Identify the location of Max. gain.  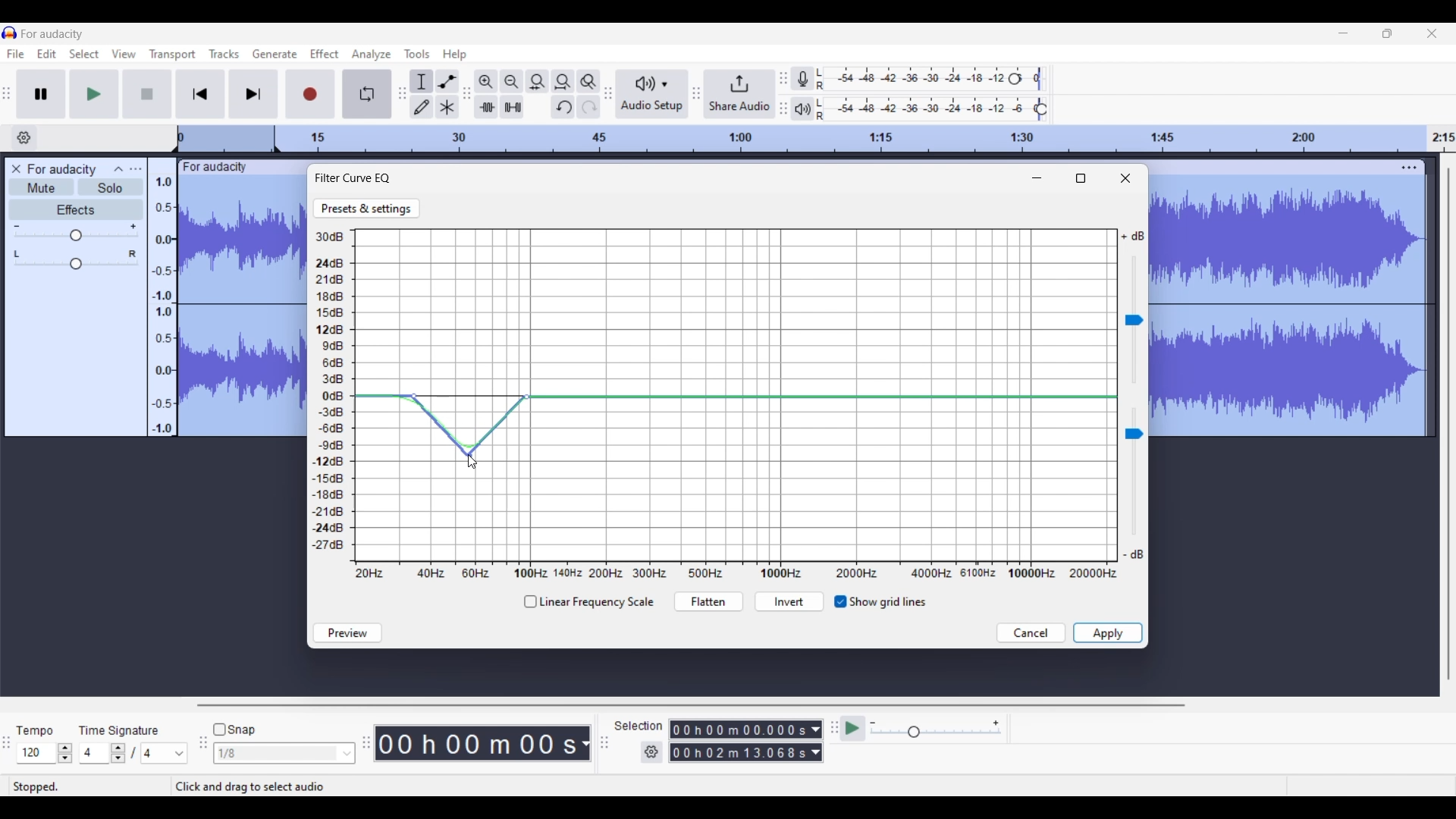
(133, 227).